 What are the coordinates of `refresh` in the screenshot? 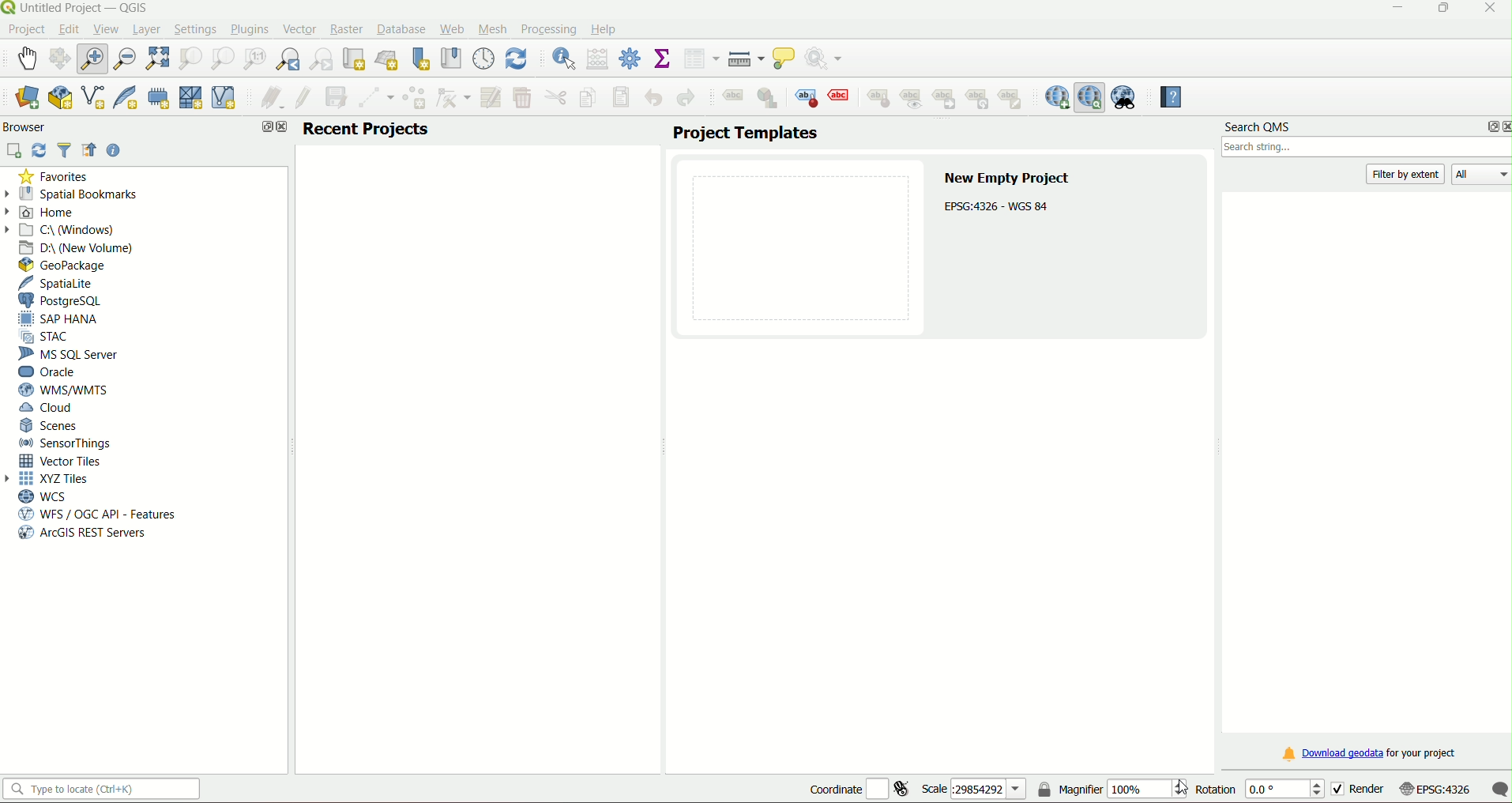 It's located at (517, 58).